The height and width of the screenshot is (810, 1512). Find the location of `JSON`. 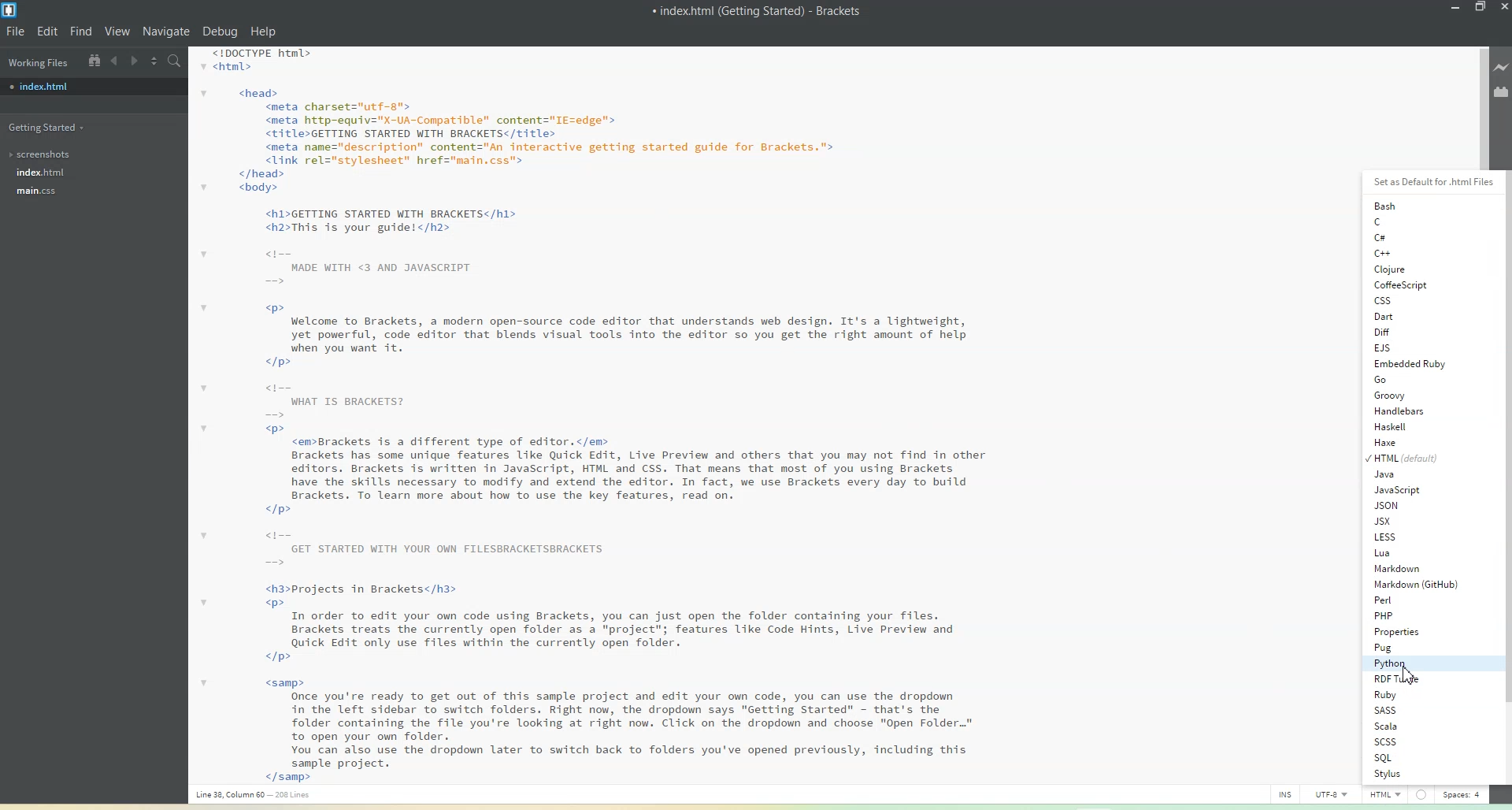

JSON is located at coordinates (1410, 506).